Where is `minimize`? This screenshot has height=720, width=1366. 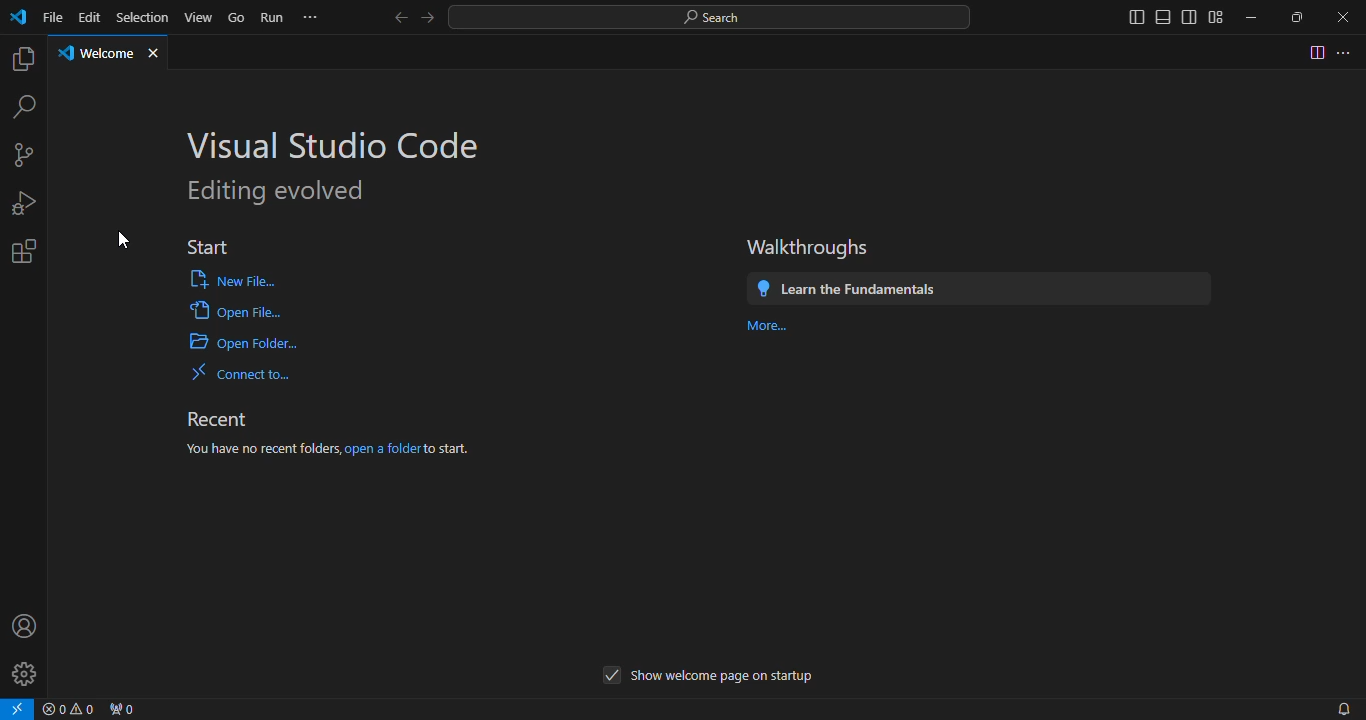 minimize is located at coordinates (1244, 13).